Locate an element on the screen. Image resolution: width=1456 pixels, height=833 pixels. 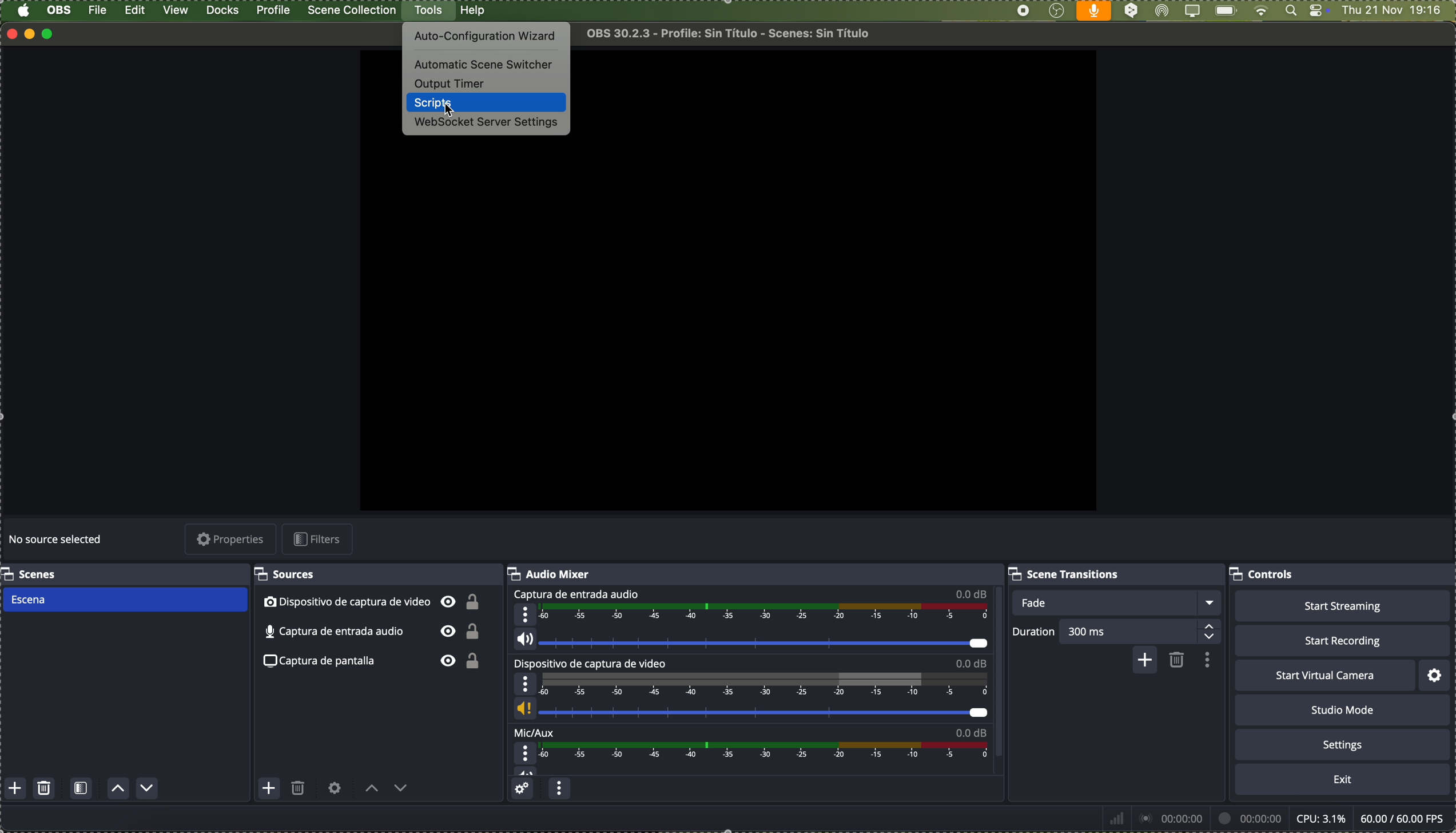
Spotlight search is located at coordinates (1289, 11).